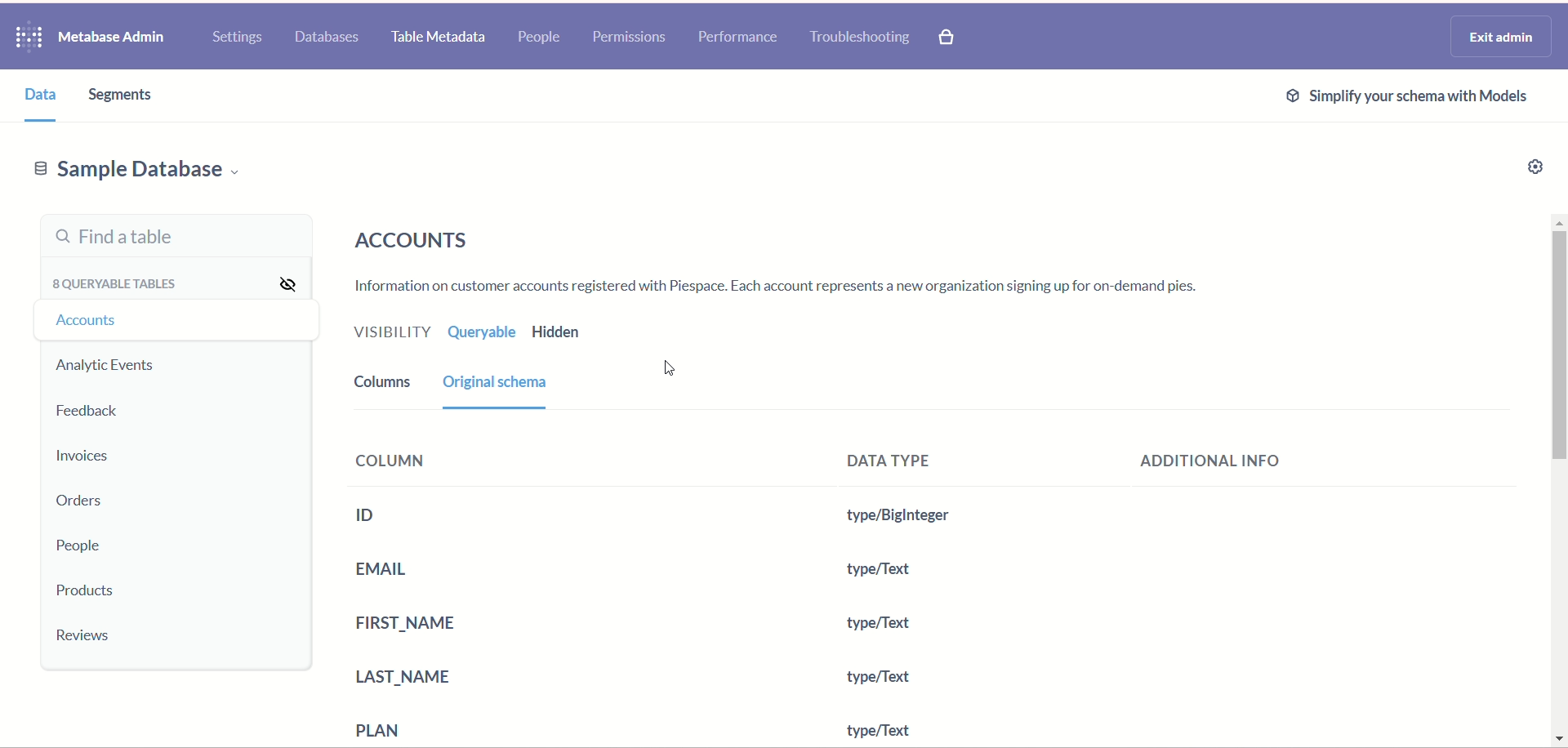  Describe the element at coordinates (82, 636) in the screenshot. I see `reviews` at that location.